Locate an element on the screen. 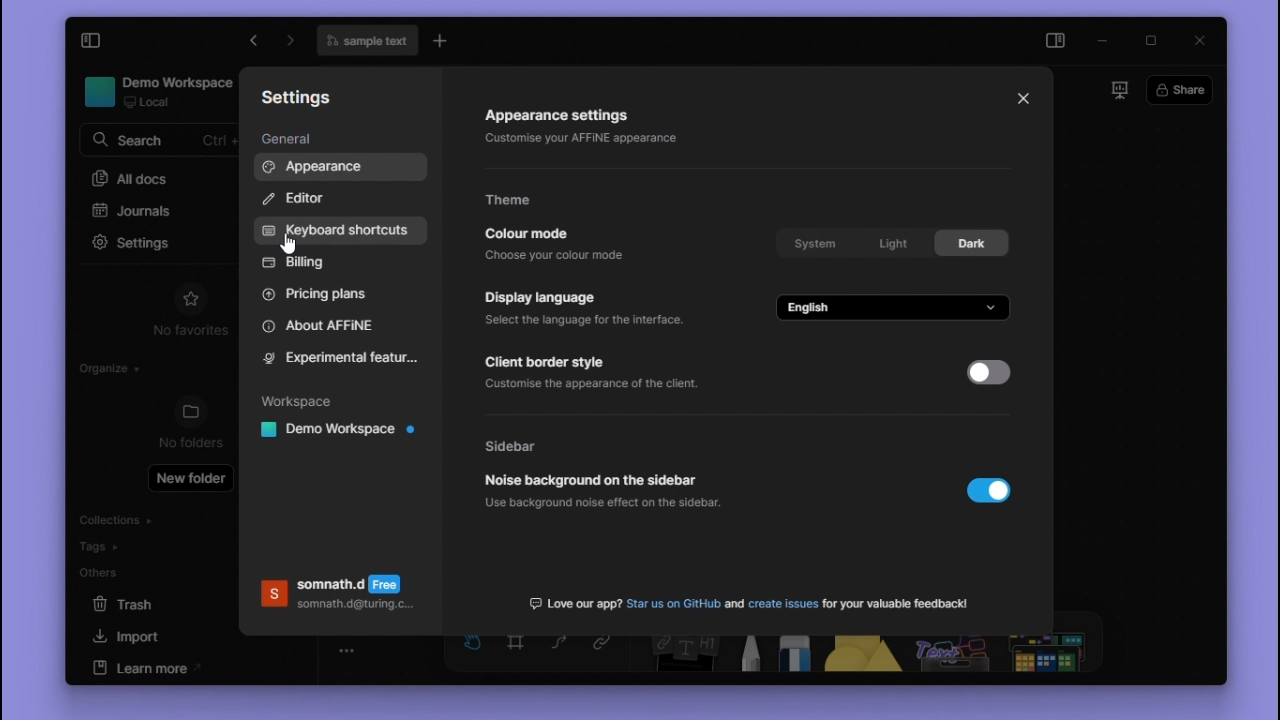 This screenshot has height=720, width=1280. Client border style is located at coordinates (590, 376).